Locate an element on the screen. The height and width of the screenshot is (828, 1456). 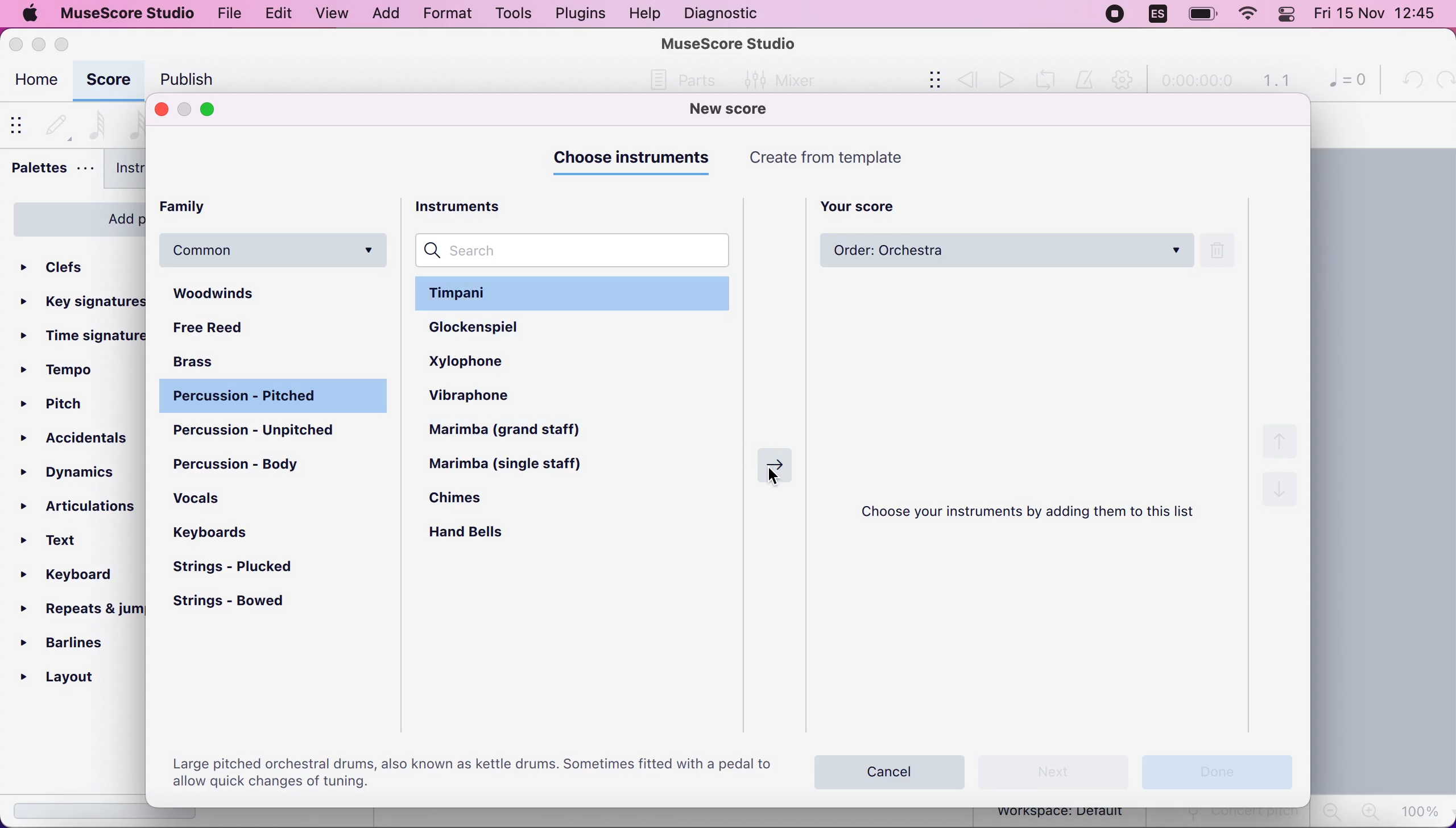
playback loop is located at coordinates (1049, 78).